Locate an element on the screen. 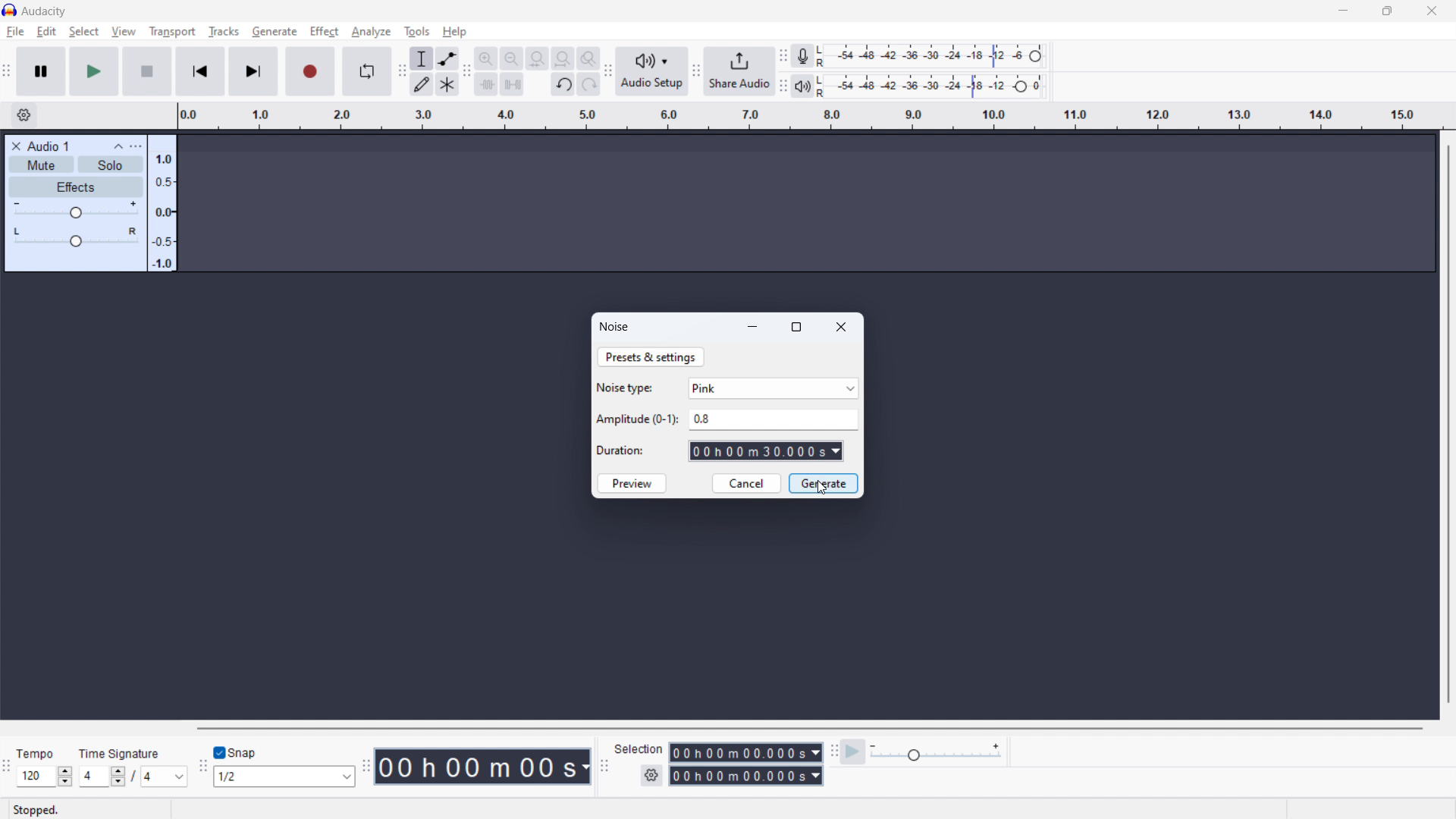 The image size is (1456, 819). close is located at coordinates (1431, 11).